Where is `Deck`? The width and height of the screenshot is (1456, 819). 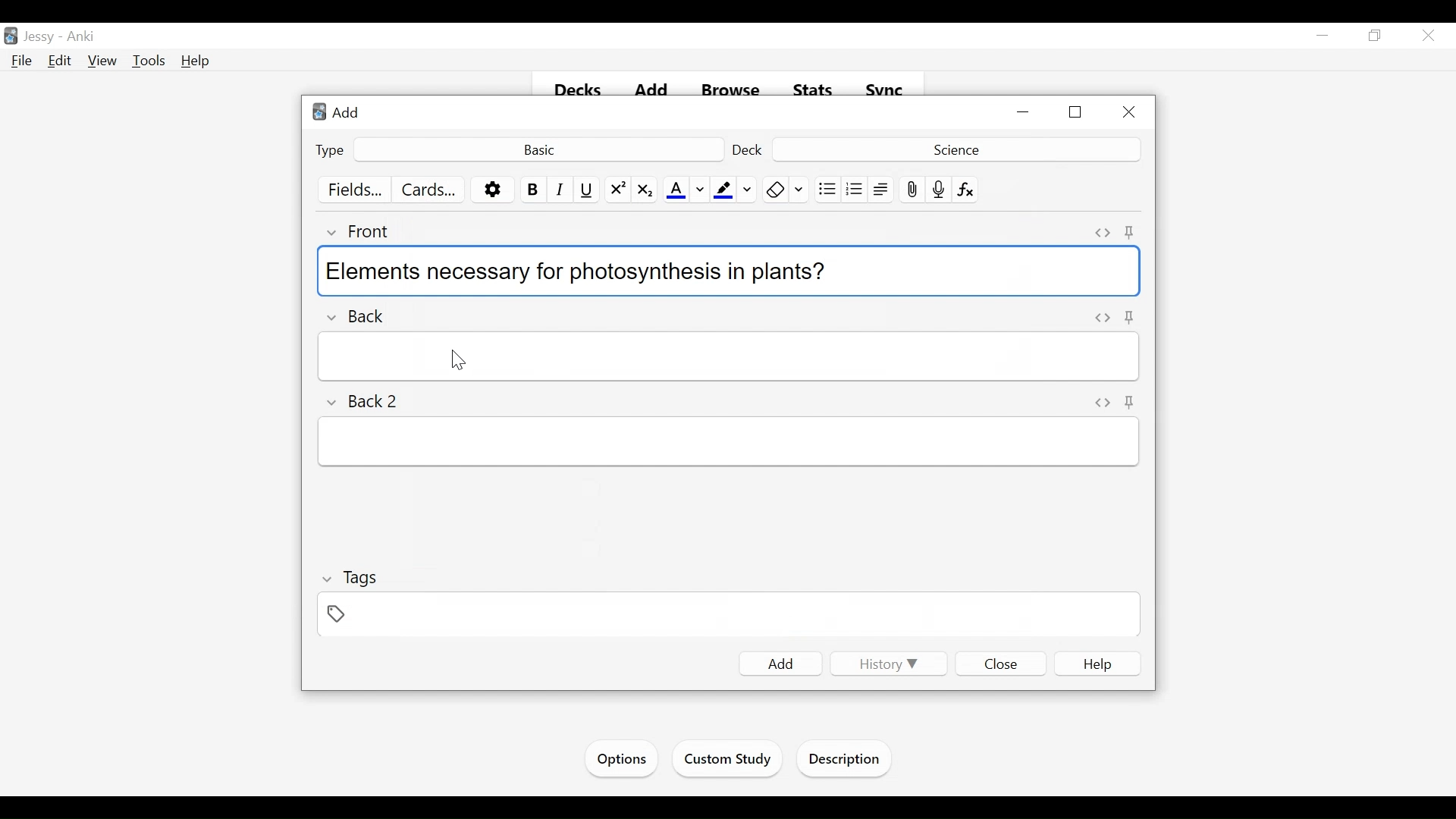
Deck is located at coordinates (749, 149).